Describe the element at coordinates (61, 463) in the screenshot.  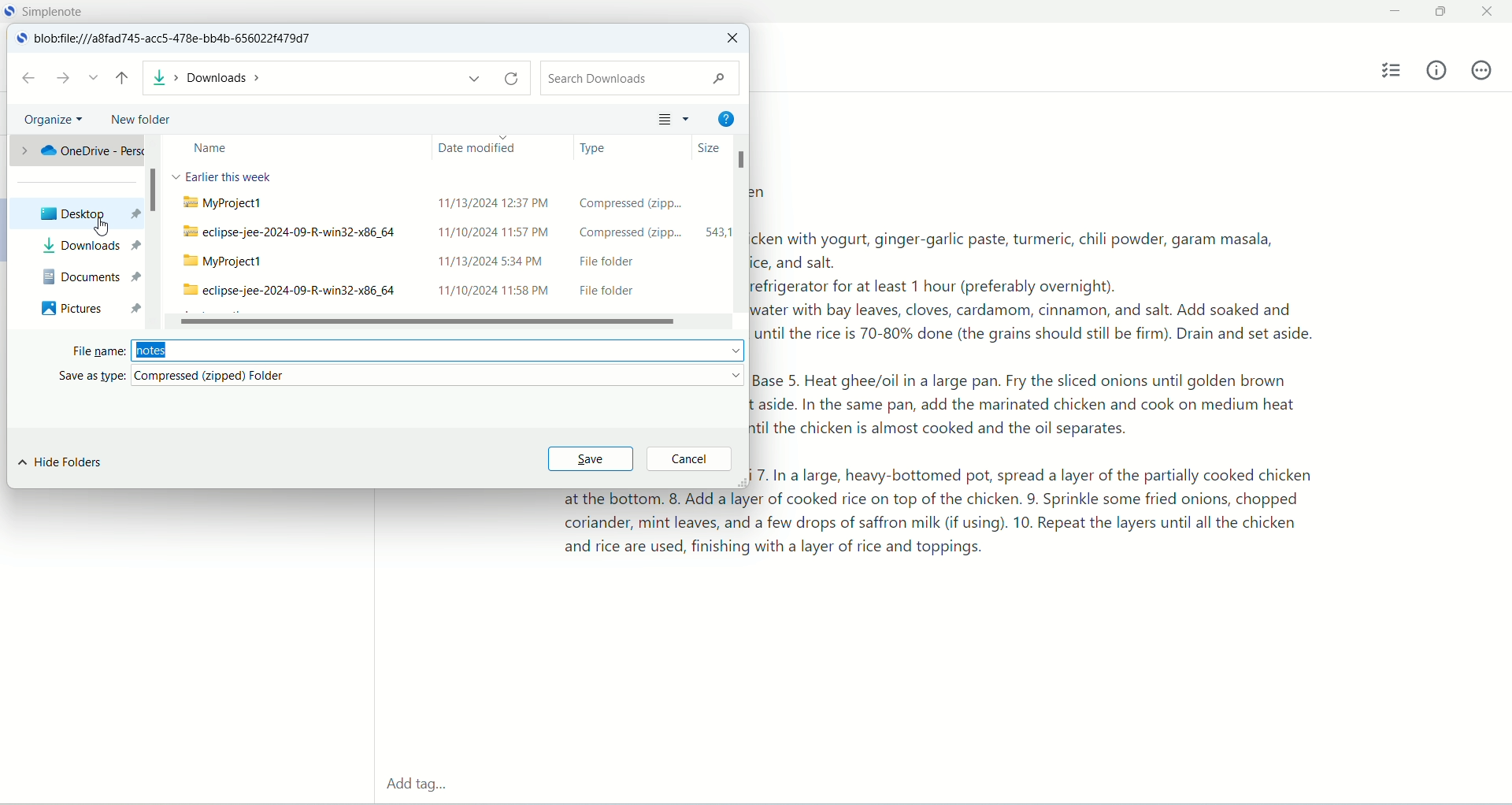
I see `hide folders` at that location.